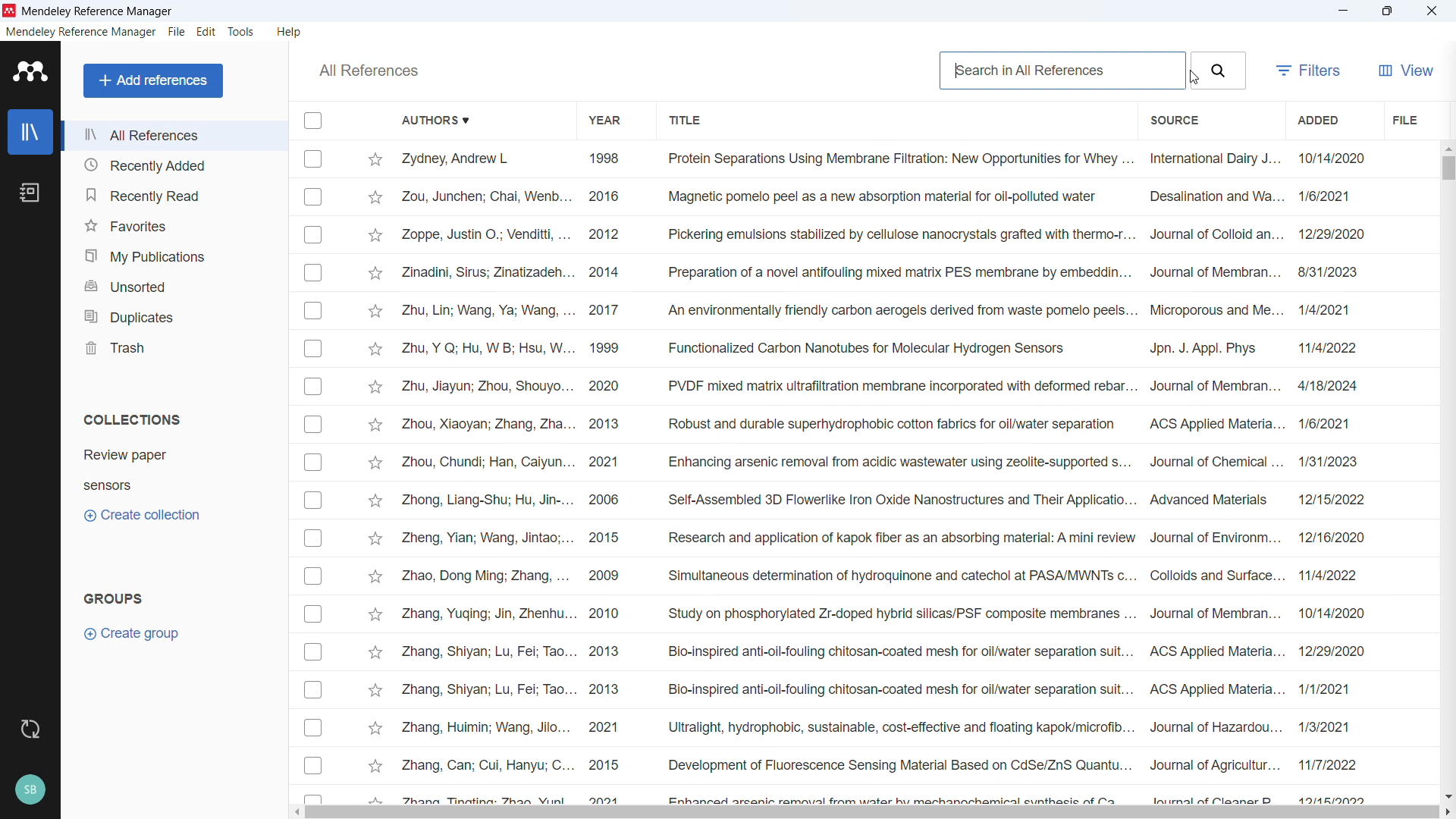  Describe the element at coordinates (1217, 71) in the screenshot. I see `Click to search ` at that location.